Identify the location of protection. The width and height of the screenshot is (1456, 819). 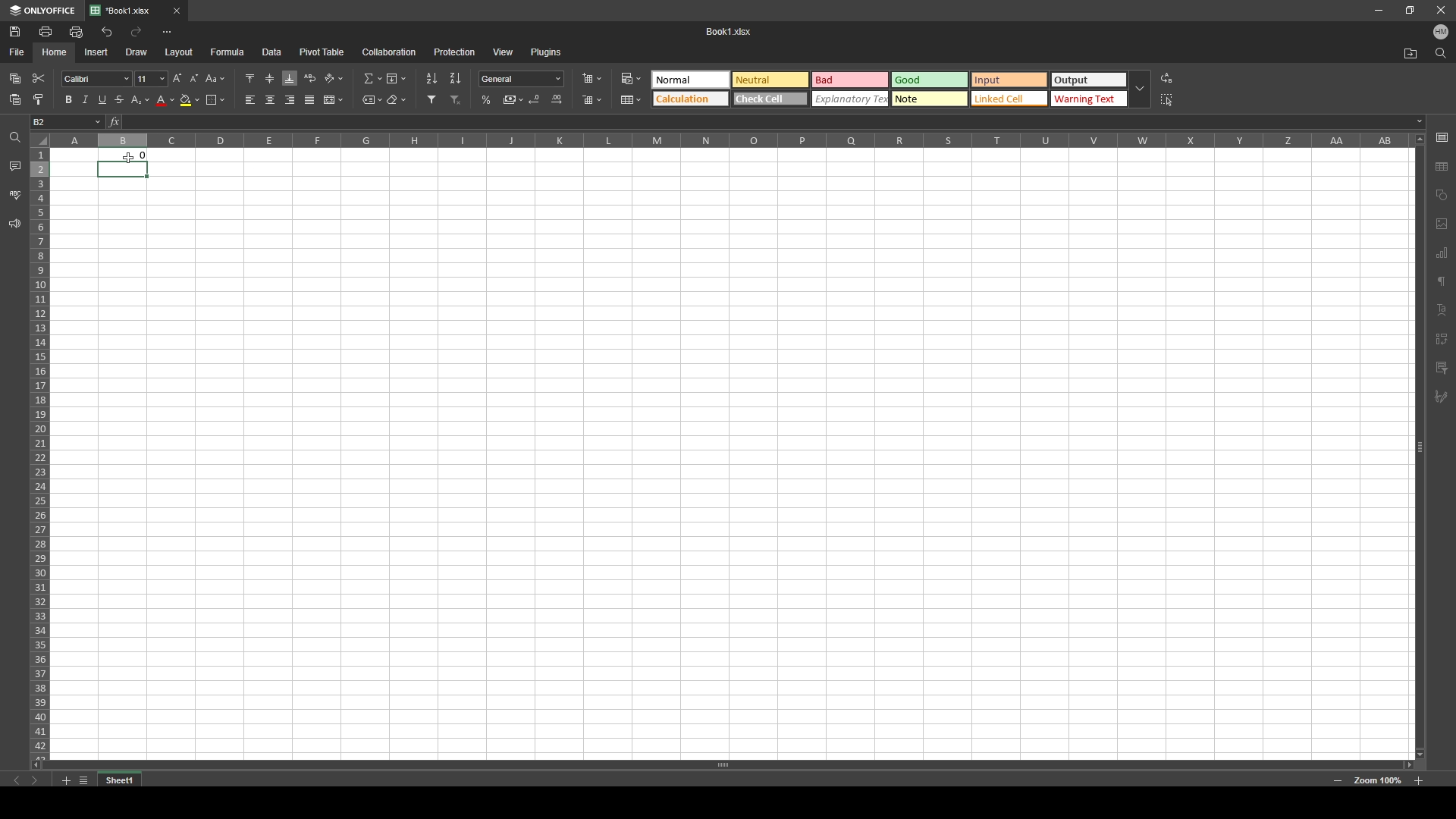
(455, 52).